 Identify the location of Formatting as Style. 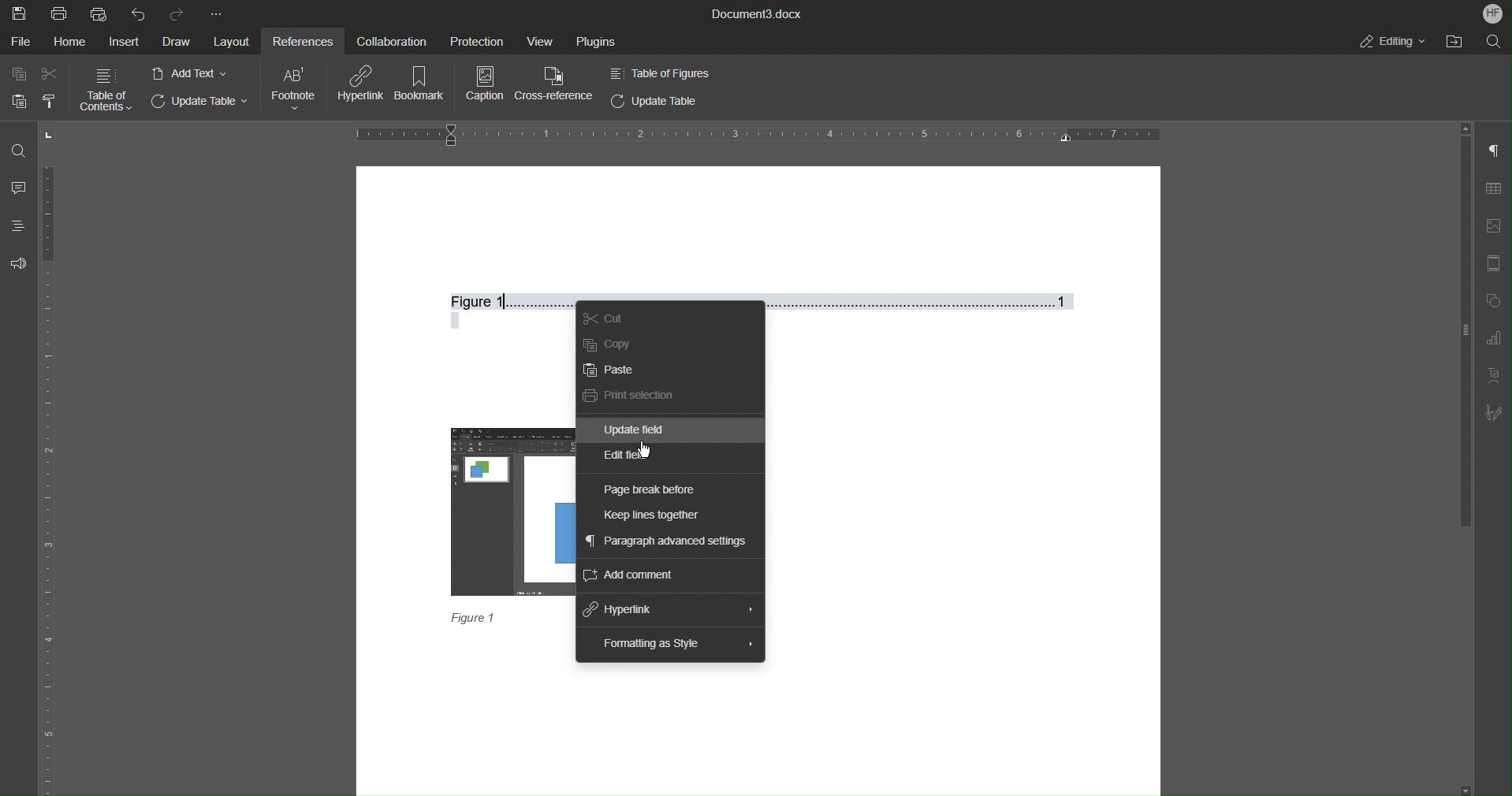
(652, 644).